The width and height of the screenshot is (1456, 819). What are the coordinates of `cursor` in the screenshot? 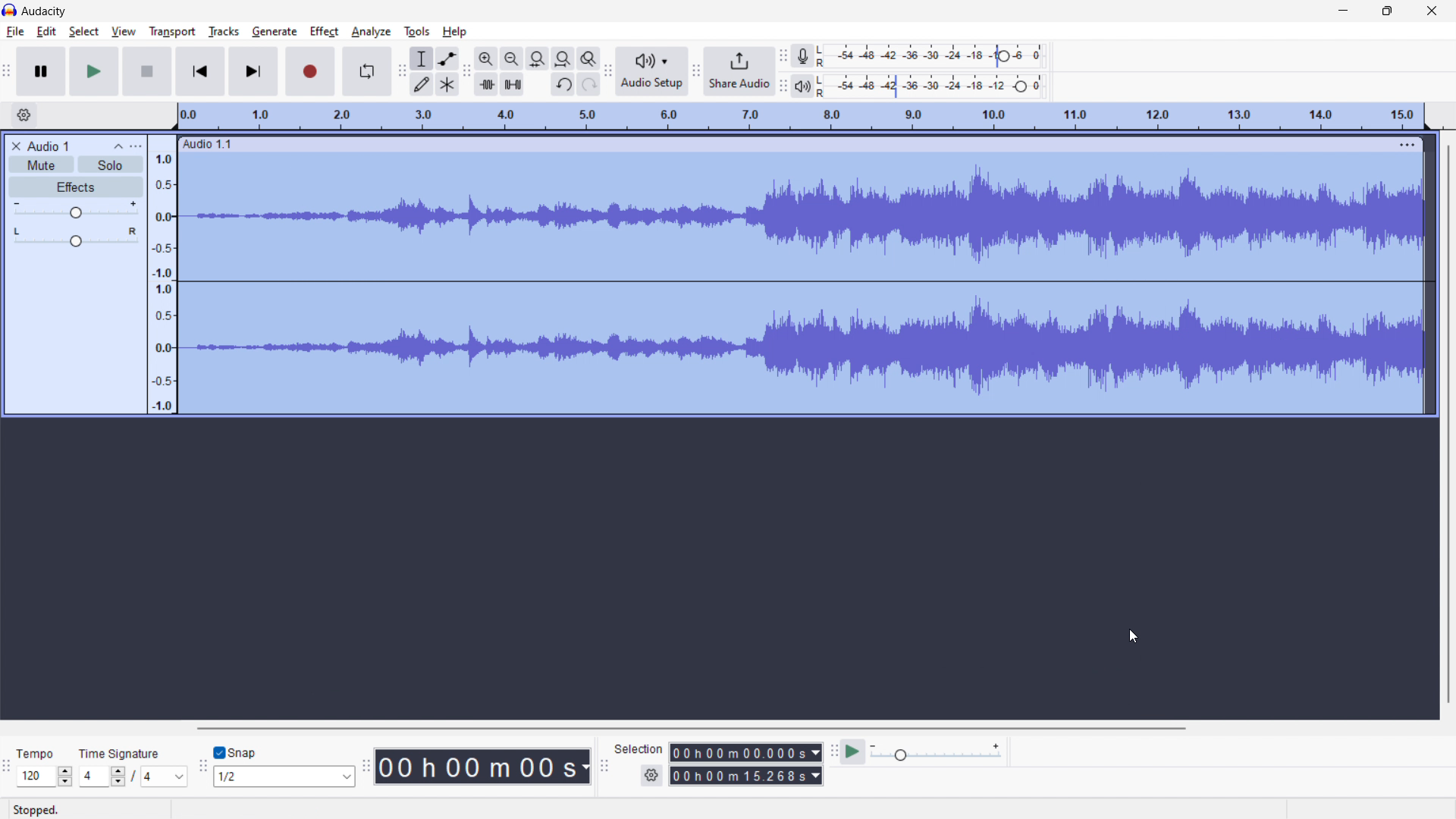 It's located at (338, 31).